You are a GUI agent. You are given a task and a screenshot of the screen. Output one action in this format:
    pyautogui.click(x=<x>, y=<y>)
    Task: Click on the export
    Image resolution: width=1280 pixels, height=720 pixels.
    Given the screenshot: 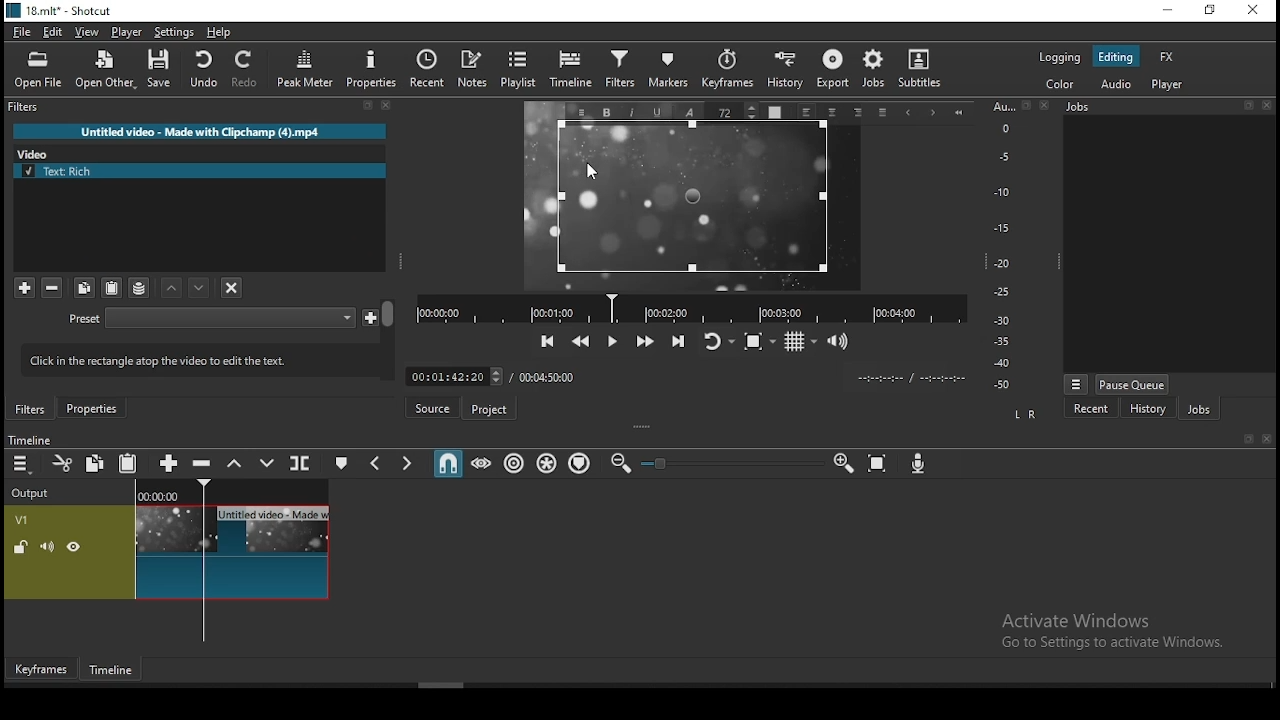 What is the action you would take?
    pyautogui.click(x=831, y=72)
    